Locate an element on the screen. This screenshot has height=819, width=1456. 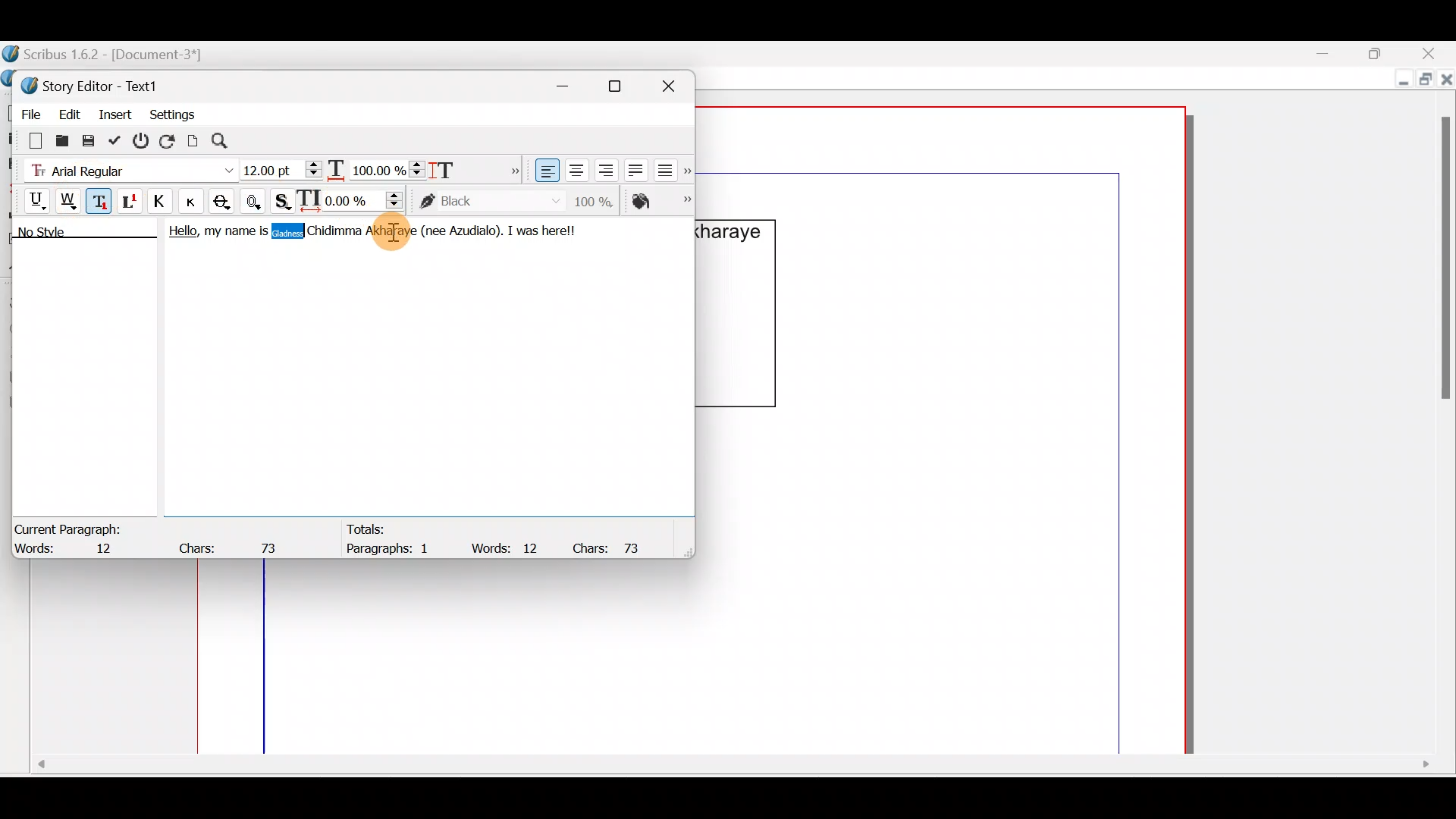
Save to file is located at coordinates (89, 140).